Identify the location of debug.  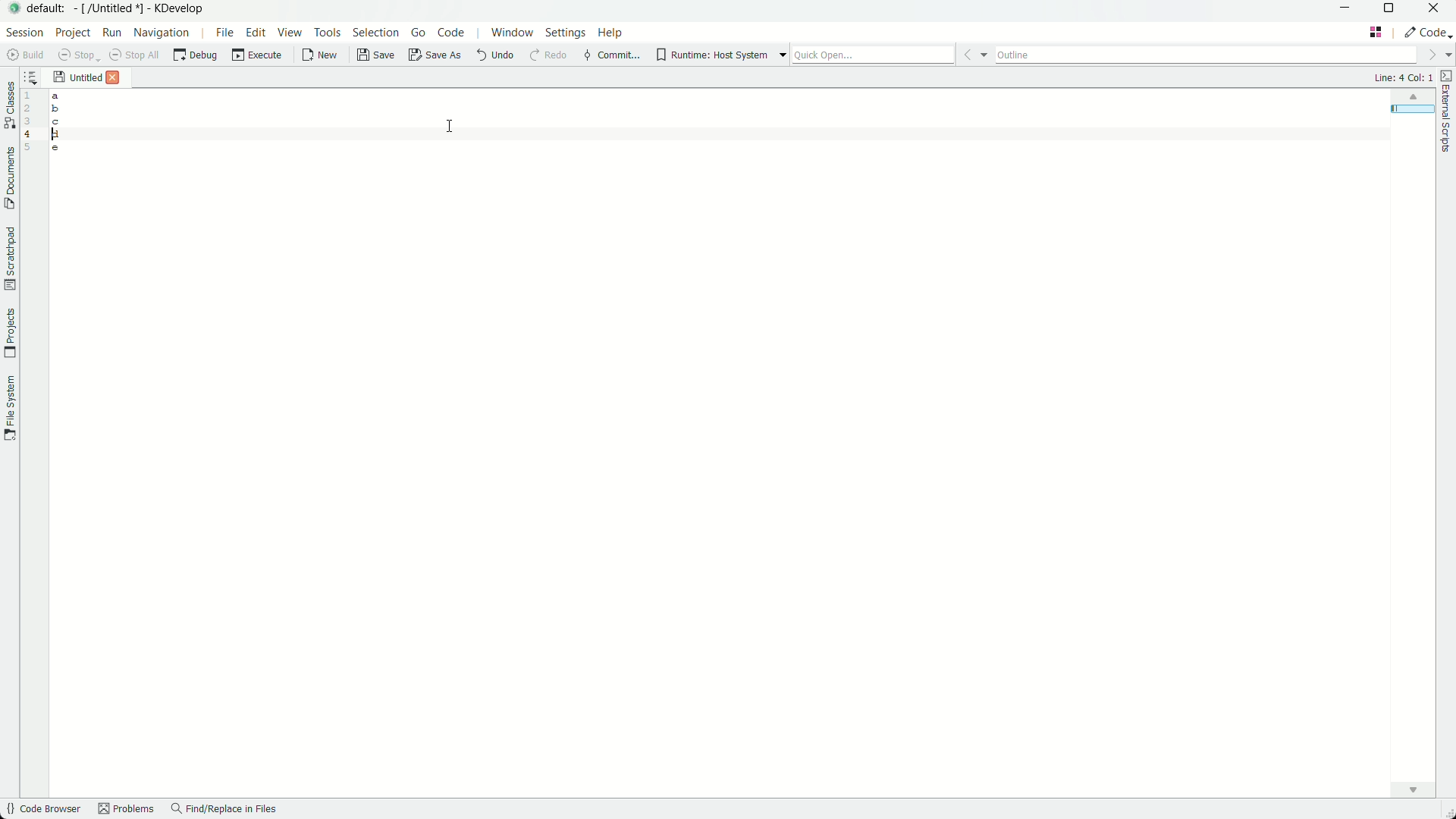
(197, 57).